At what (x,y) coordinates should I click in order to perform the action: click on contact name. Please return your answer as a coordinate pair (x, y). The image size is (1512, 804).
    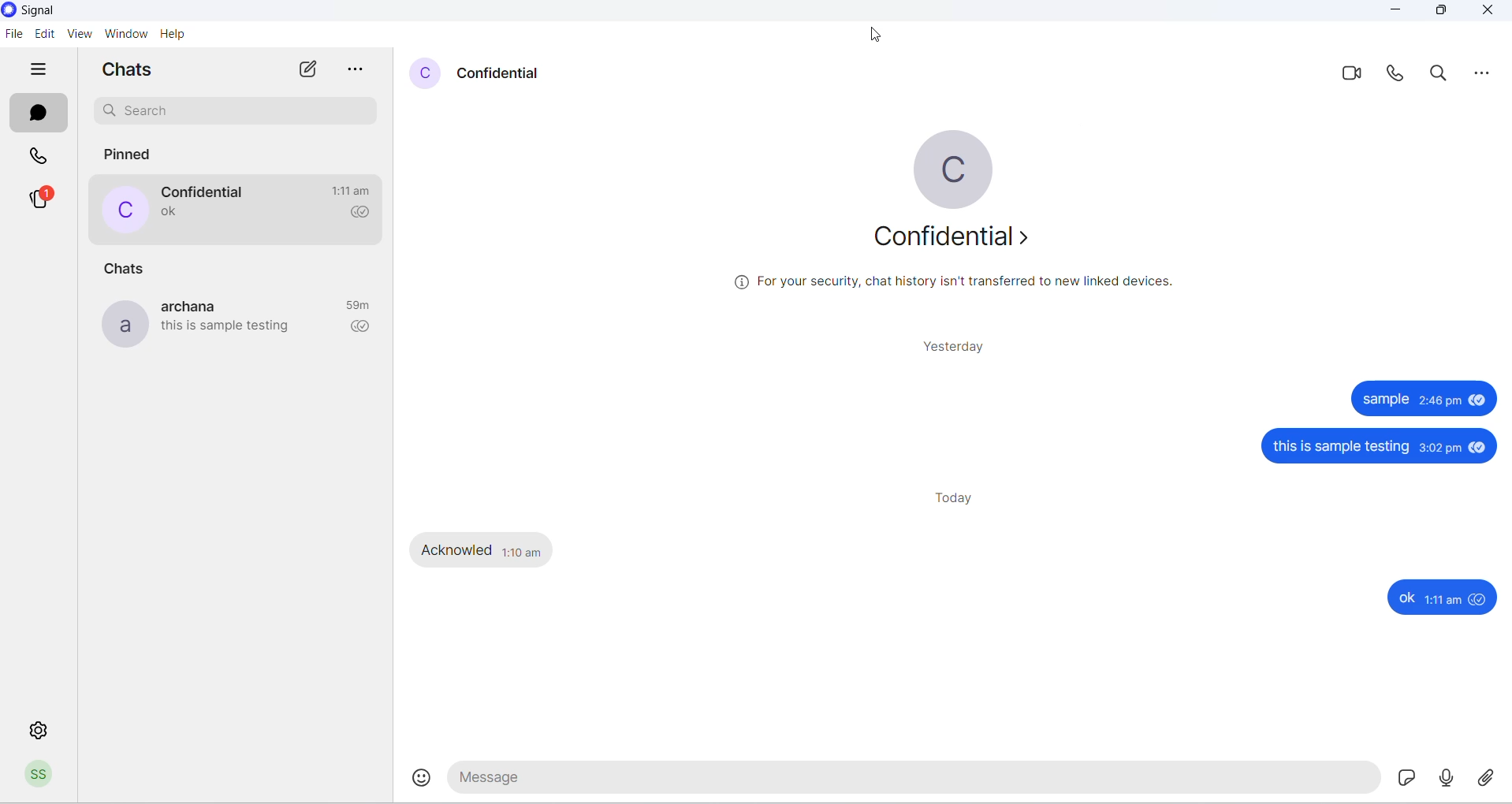
    Looking at the image, I should click on (505, 75).